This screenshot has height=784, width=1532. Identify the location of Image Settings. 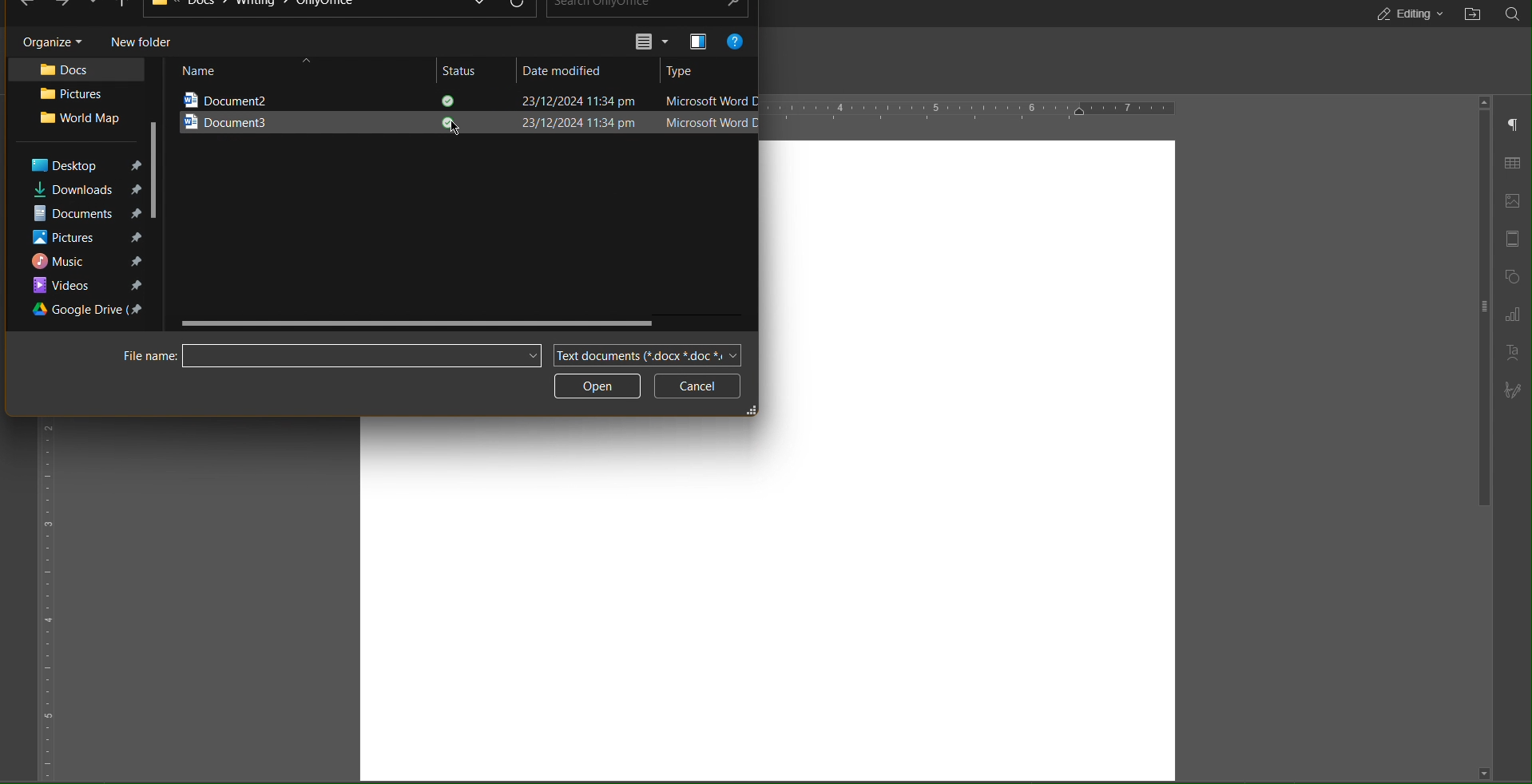
(1517, 200).